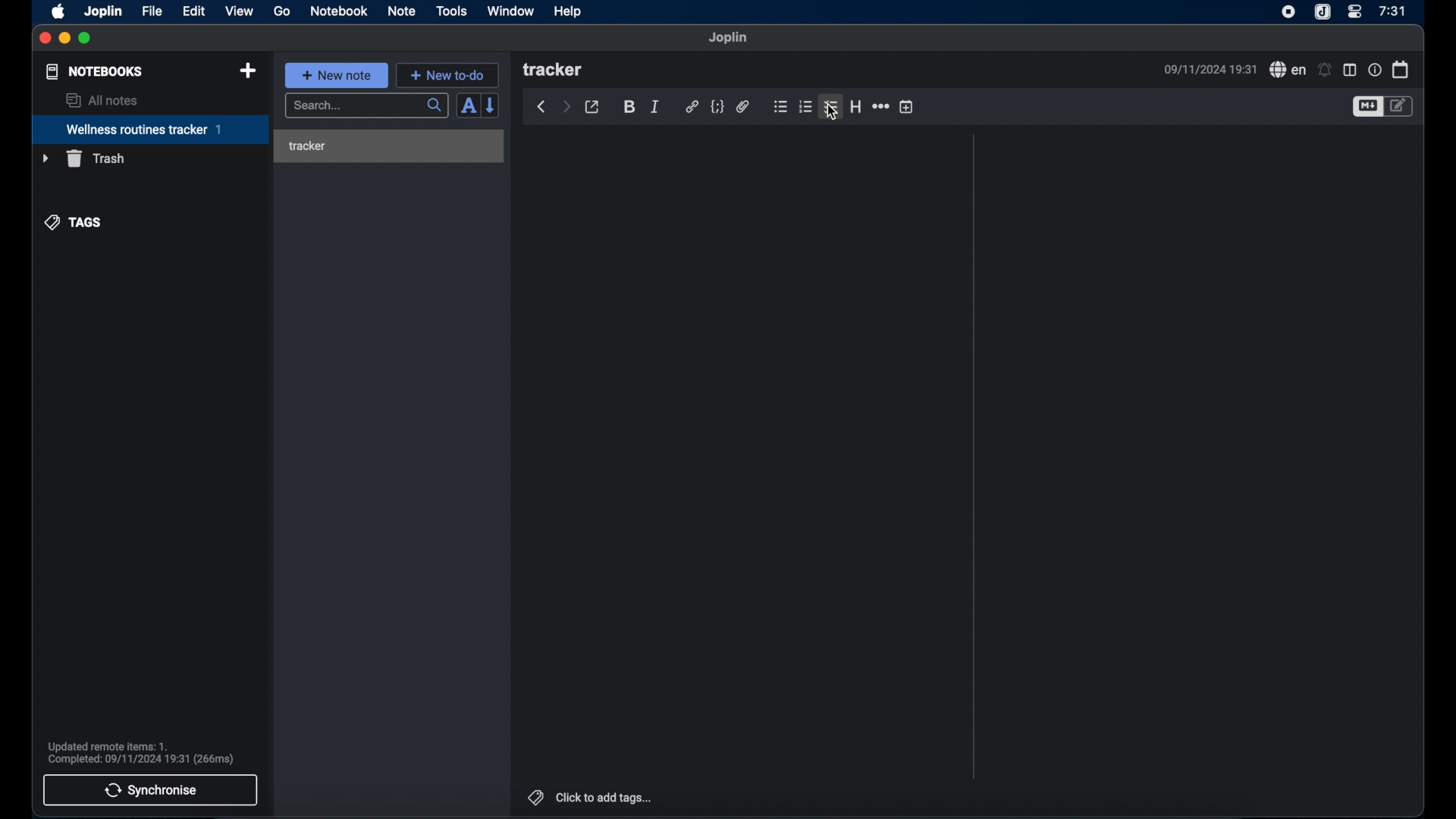  What do you see at coordinates (1392, 11) in the screenshot?
I see `7:31` at bounding box center [1392, 11].